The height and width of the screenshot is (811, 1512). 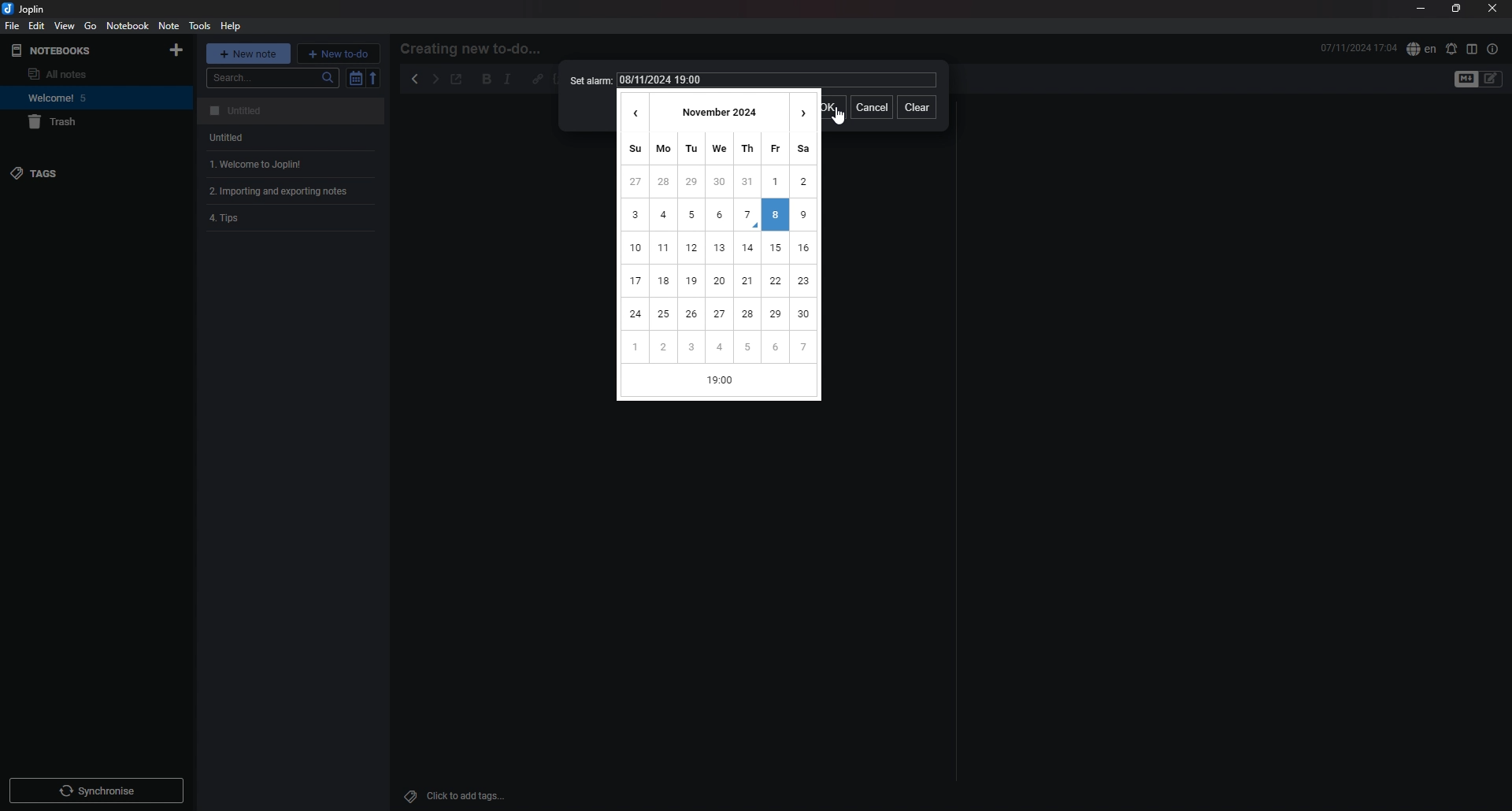 What do you see at coordinates (1452, 48) in the screenshot?
I see `set alarm` at bounding box center [1452, 48].